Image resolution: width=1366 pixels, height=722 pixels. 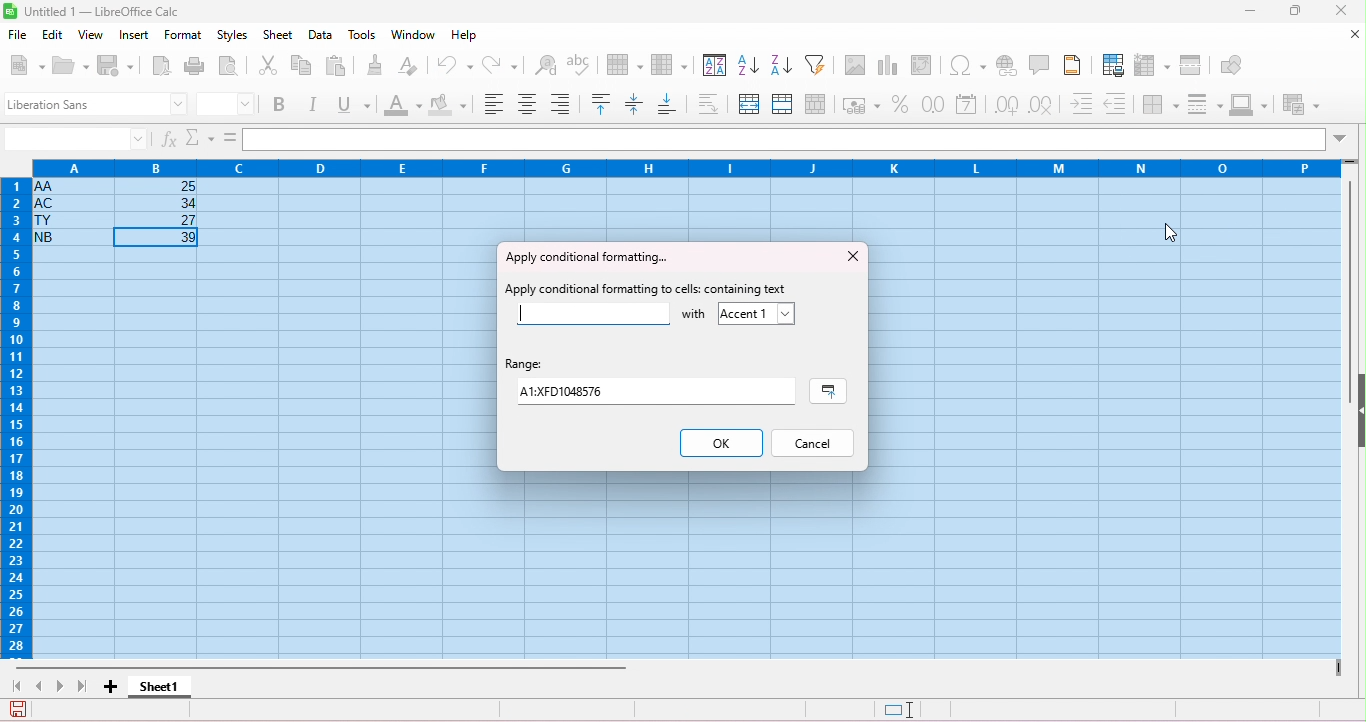 I want to click on row numbers, so click(x=14, y=419).